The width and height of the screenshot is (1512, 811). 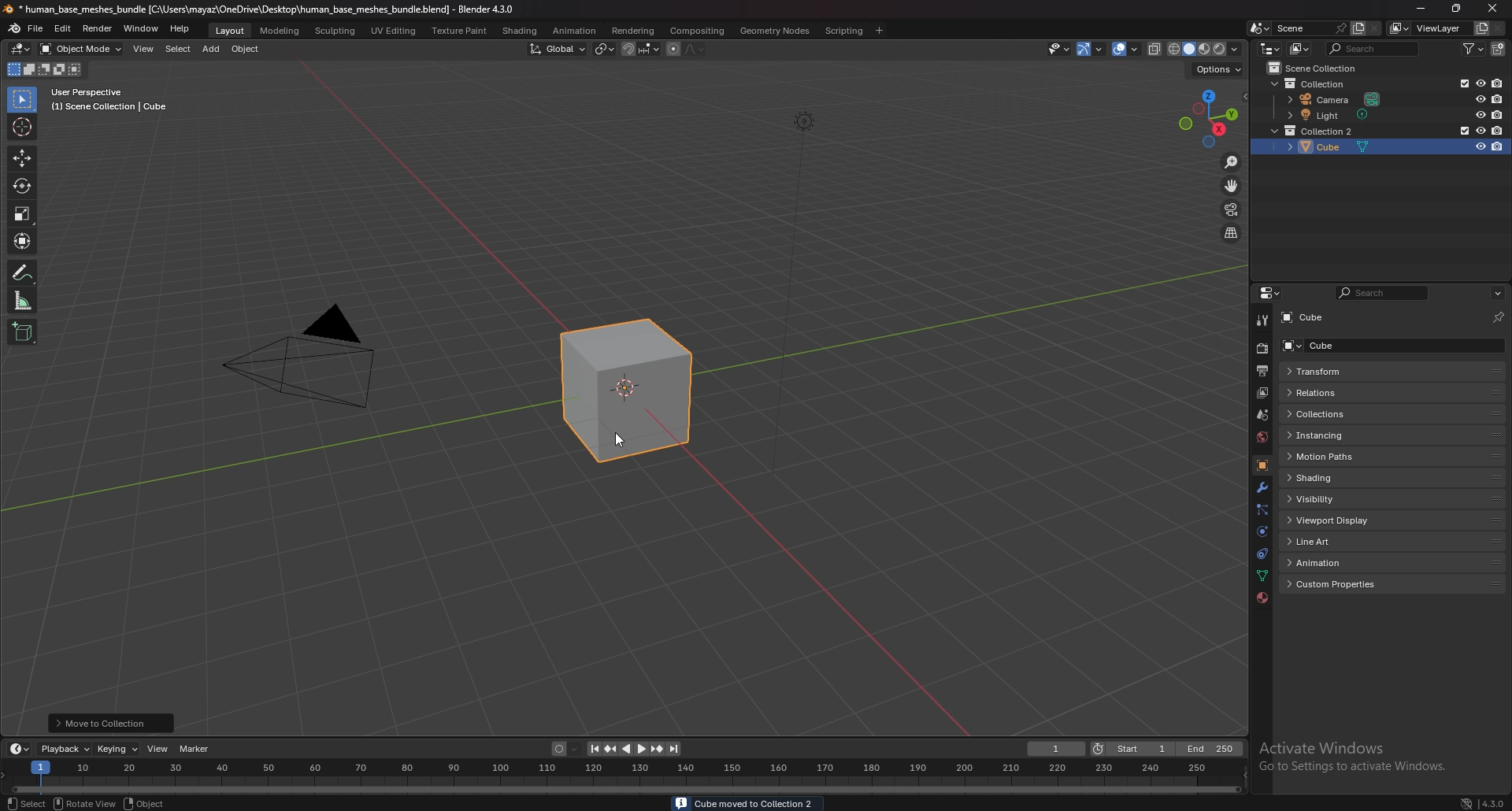 What do you see at coordinates (298, 354) in the screenshot?
I see `camera` at bounding box center [298, 354].